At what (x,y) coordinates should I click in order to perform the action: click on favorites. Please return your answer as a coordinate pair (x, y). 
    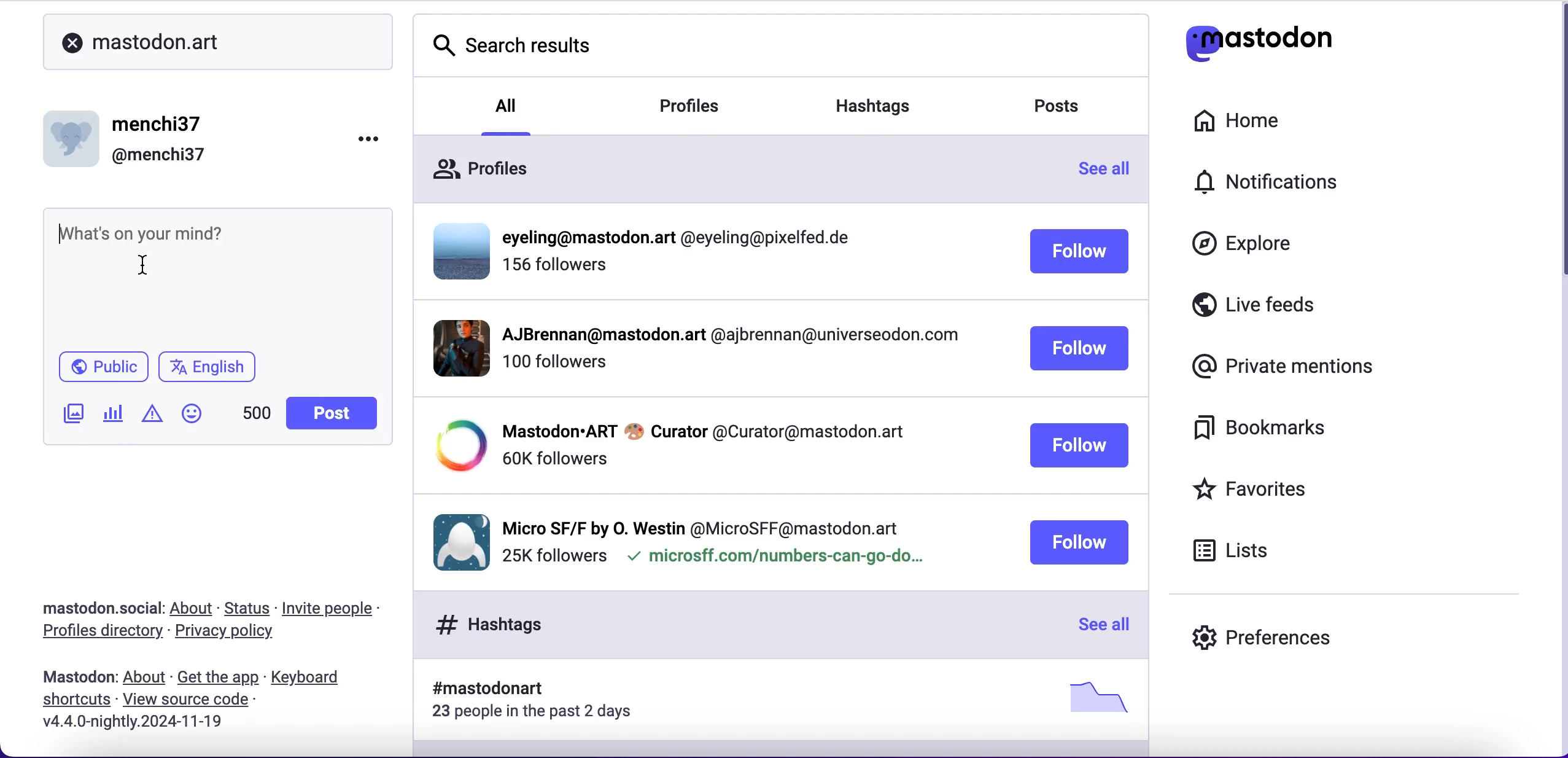
    Looking at the image, I should click on (1282, 488).